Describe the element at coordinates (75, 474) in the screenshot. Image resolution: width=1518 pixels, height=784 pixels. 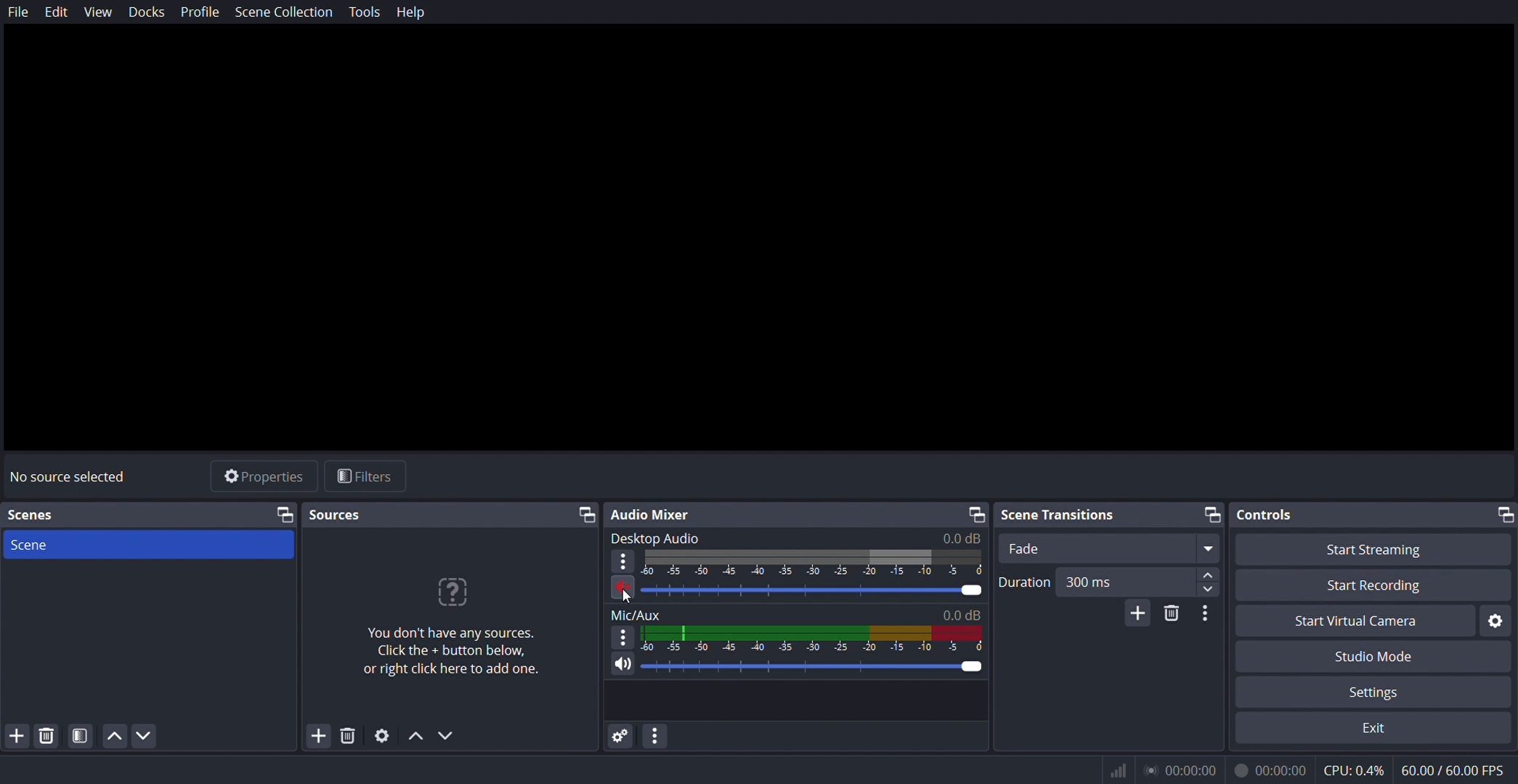
I see `no source selected` at that location.